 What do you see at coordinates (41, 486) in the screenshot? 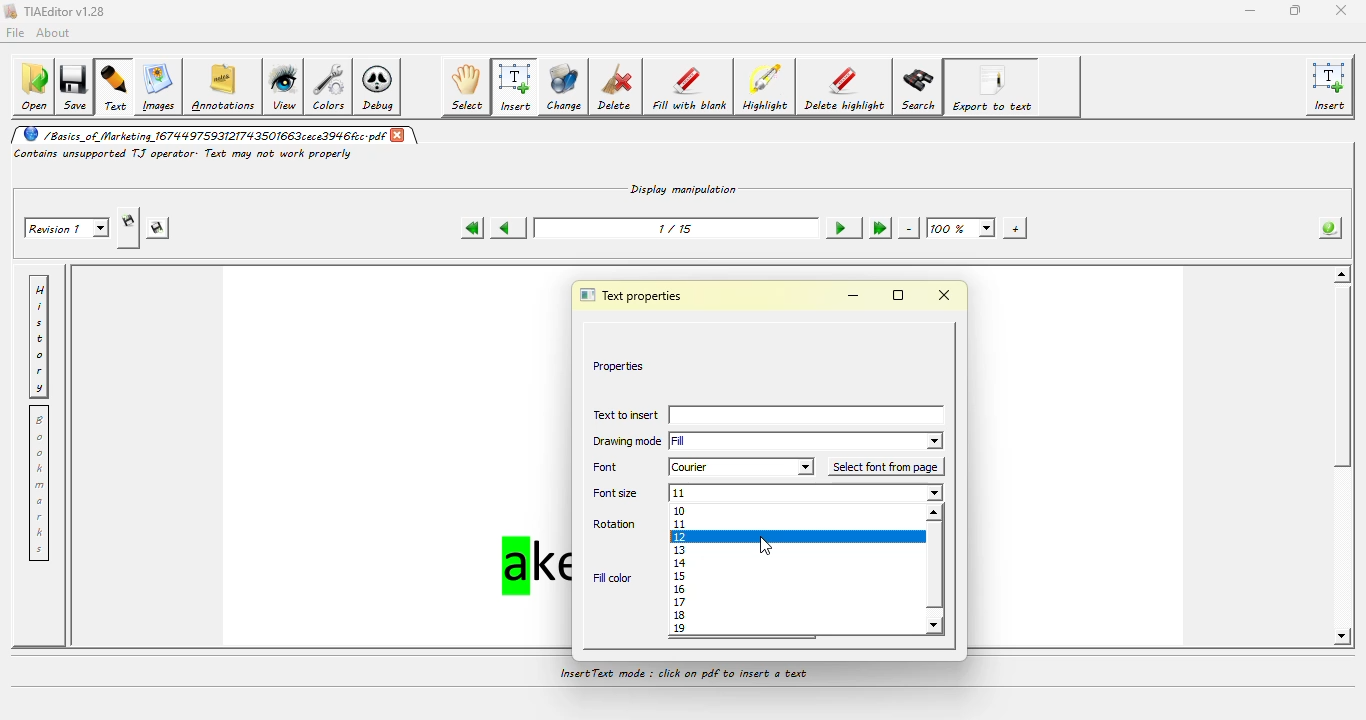
I see `bookmarks` at bounding box center [41, 486].